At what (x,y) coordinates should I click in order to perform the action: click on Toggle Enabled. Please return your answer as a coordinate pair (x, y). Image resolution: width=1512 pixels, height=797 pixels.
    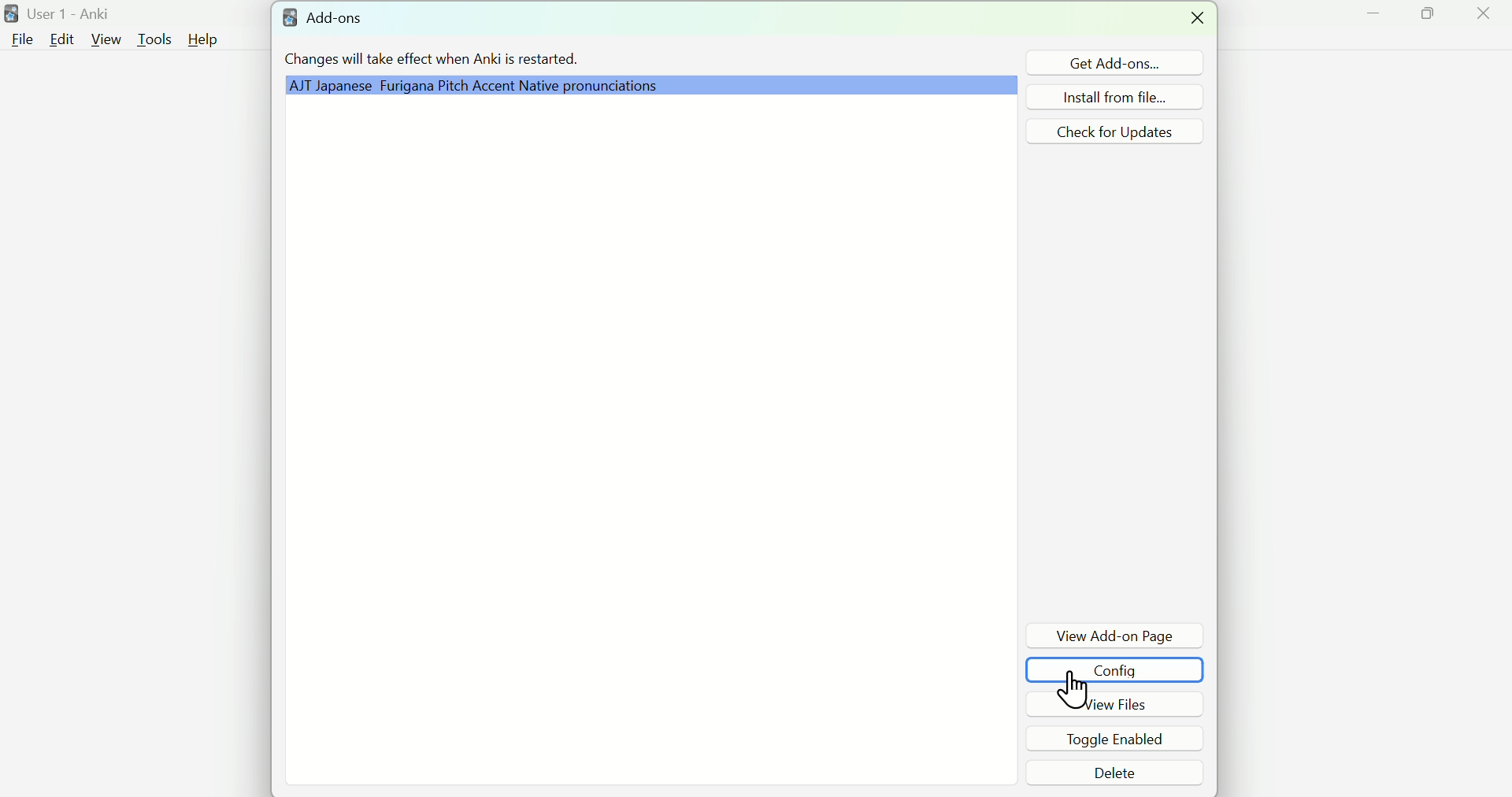
    Looking at the image, I should click on (1110, 740).